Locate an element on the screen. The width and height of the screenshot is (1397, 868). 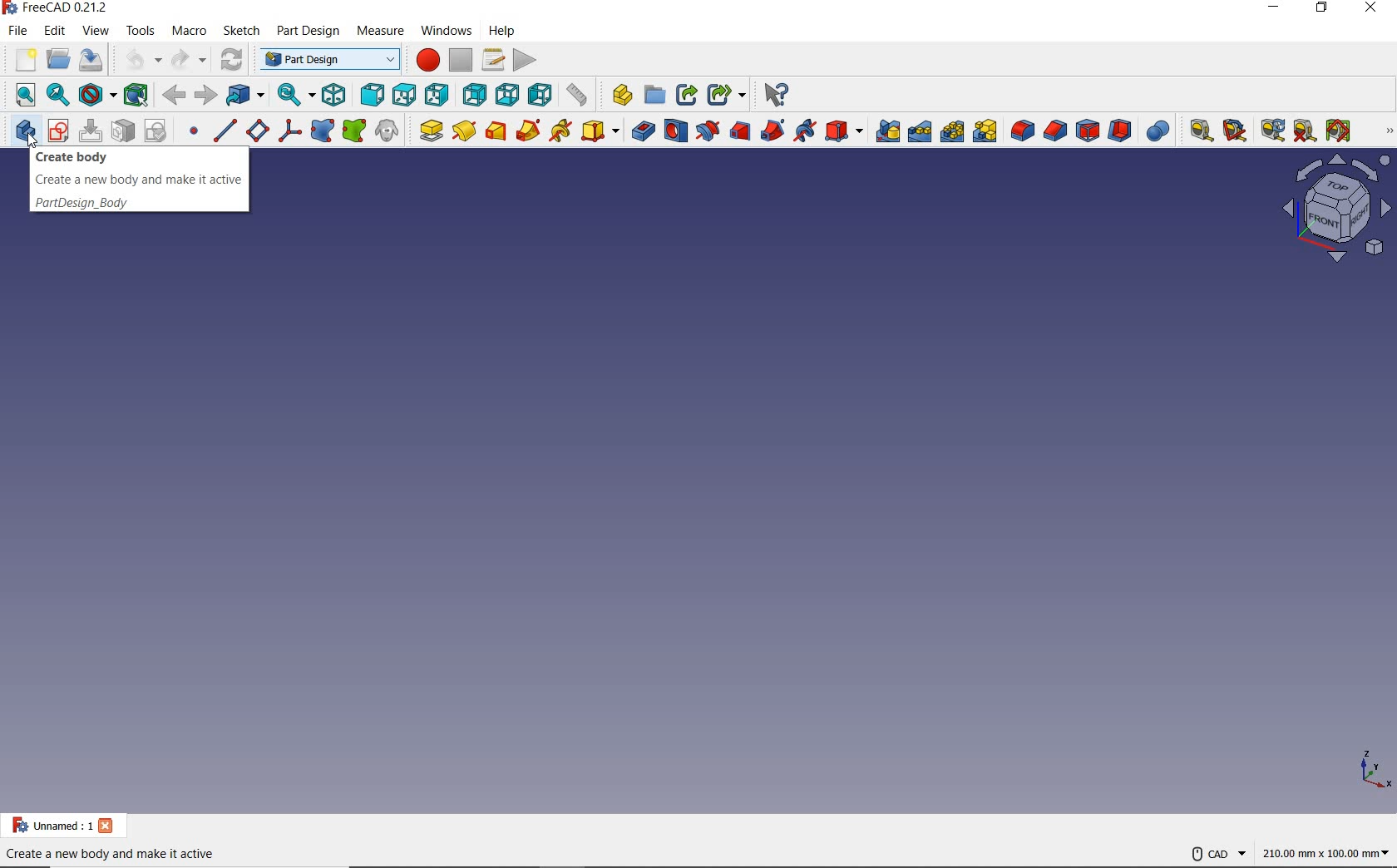
CAD NAVIGATION STYLE is located at coordinates (1214, 855).